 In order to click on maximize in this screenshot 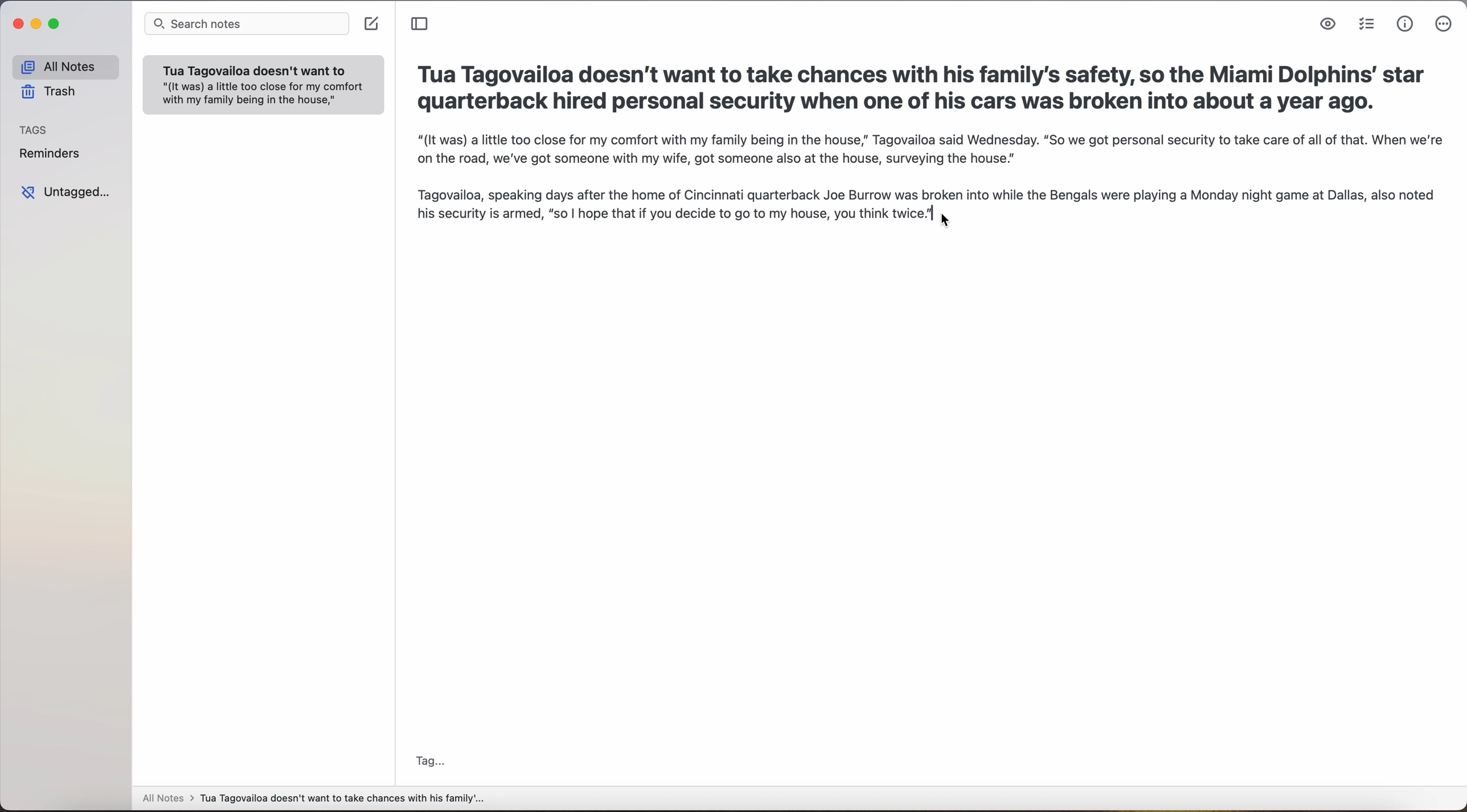, I will do `click(60, 24)`.